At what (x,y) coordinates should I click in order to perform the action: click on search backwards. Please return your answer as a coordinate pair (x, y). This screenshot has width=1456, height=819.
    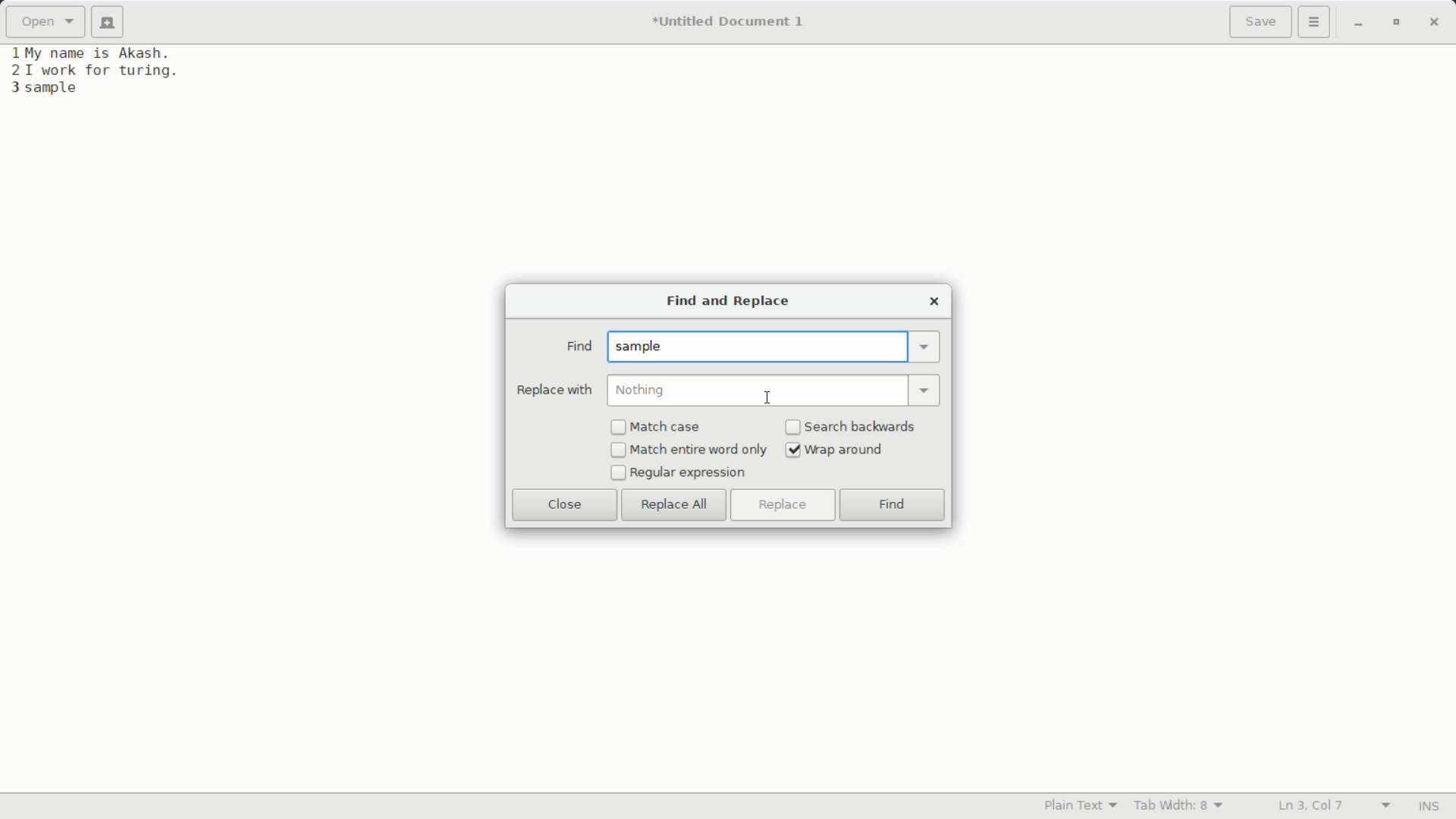
    Looking at the image, I should click on (862, 426).